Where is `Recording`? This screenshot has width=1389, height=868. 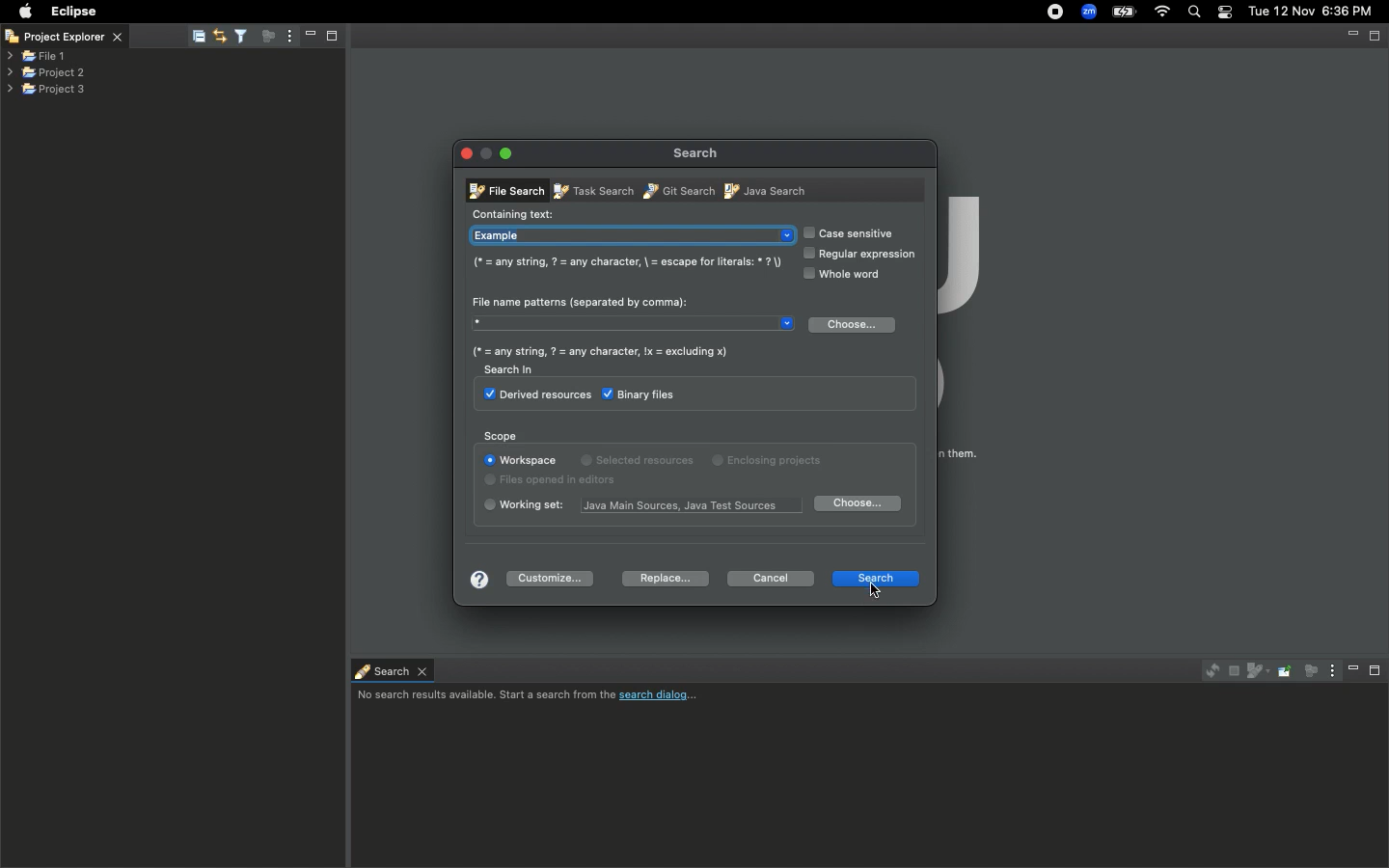
Recording is located at coordinates (1056, 14).